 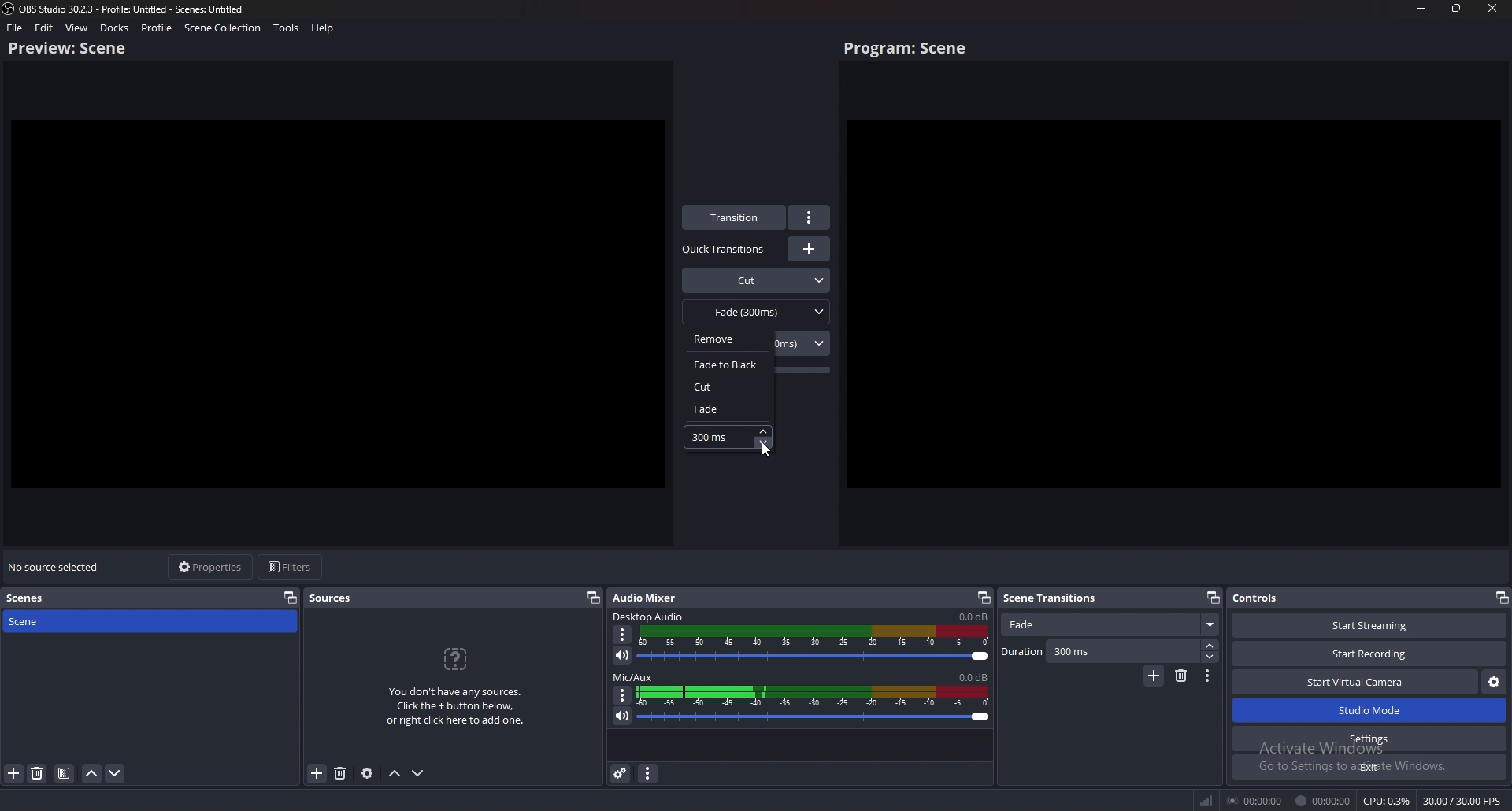 I want to click on pop out, so click(x=291, y=597).